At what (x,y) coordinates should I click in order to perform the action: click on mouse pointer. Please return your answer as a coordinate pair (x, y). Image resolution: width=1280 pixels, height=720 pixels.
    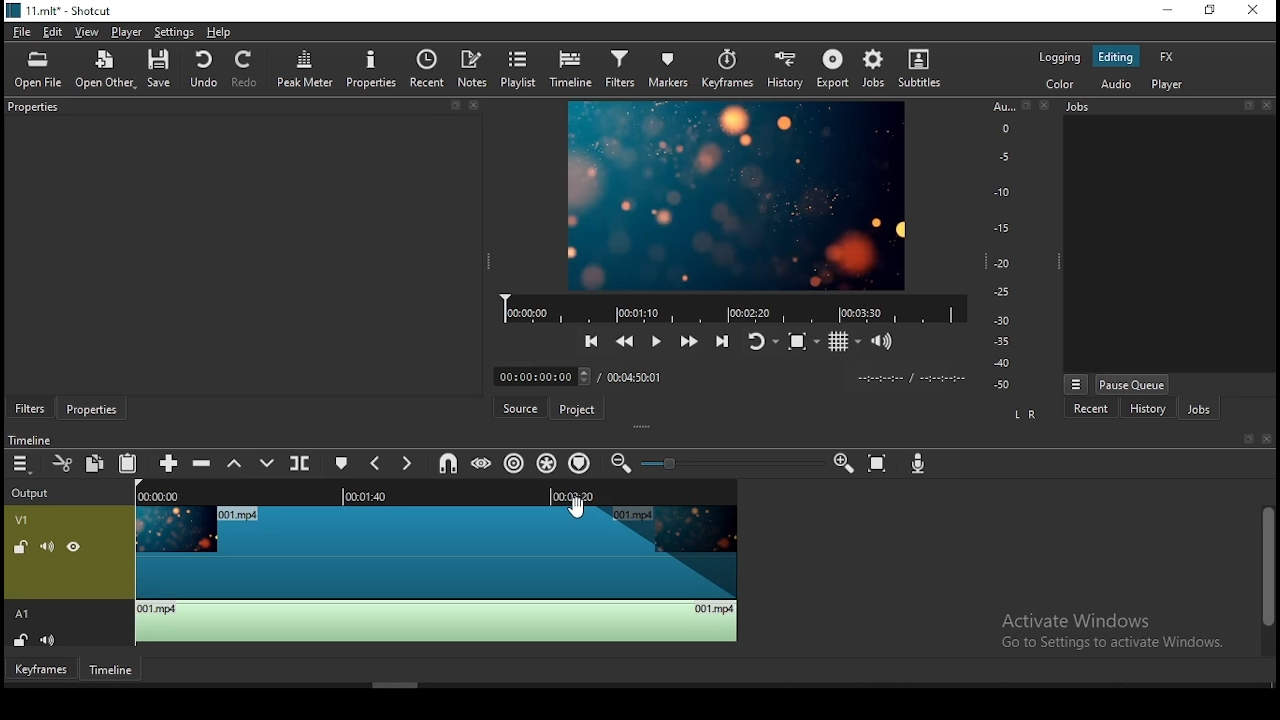
    Looking at the image, I should click on (583, 511).